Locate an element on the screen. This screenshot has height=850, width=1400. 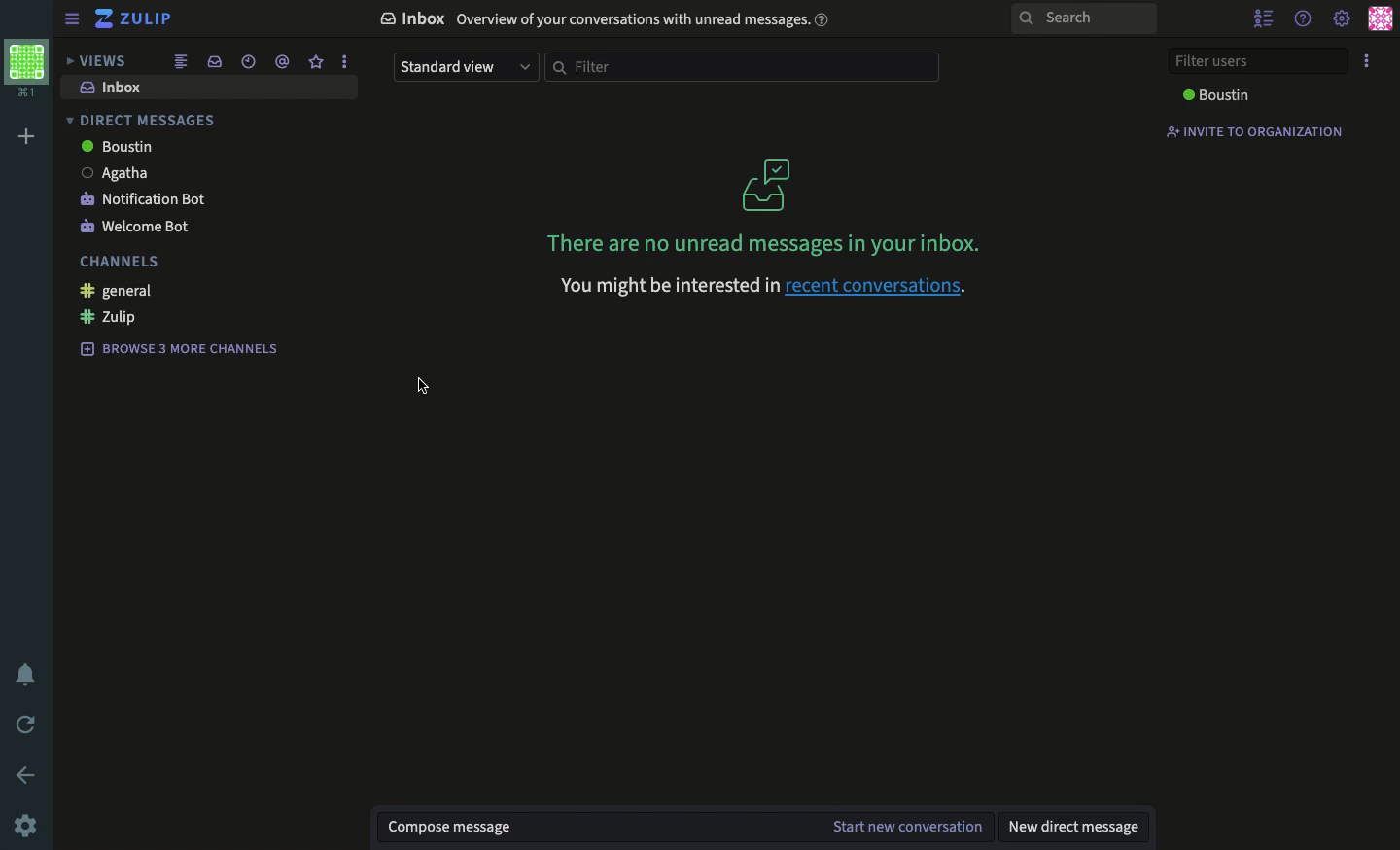
new direct message is located at coordinates (1072, 826).